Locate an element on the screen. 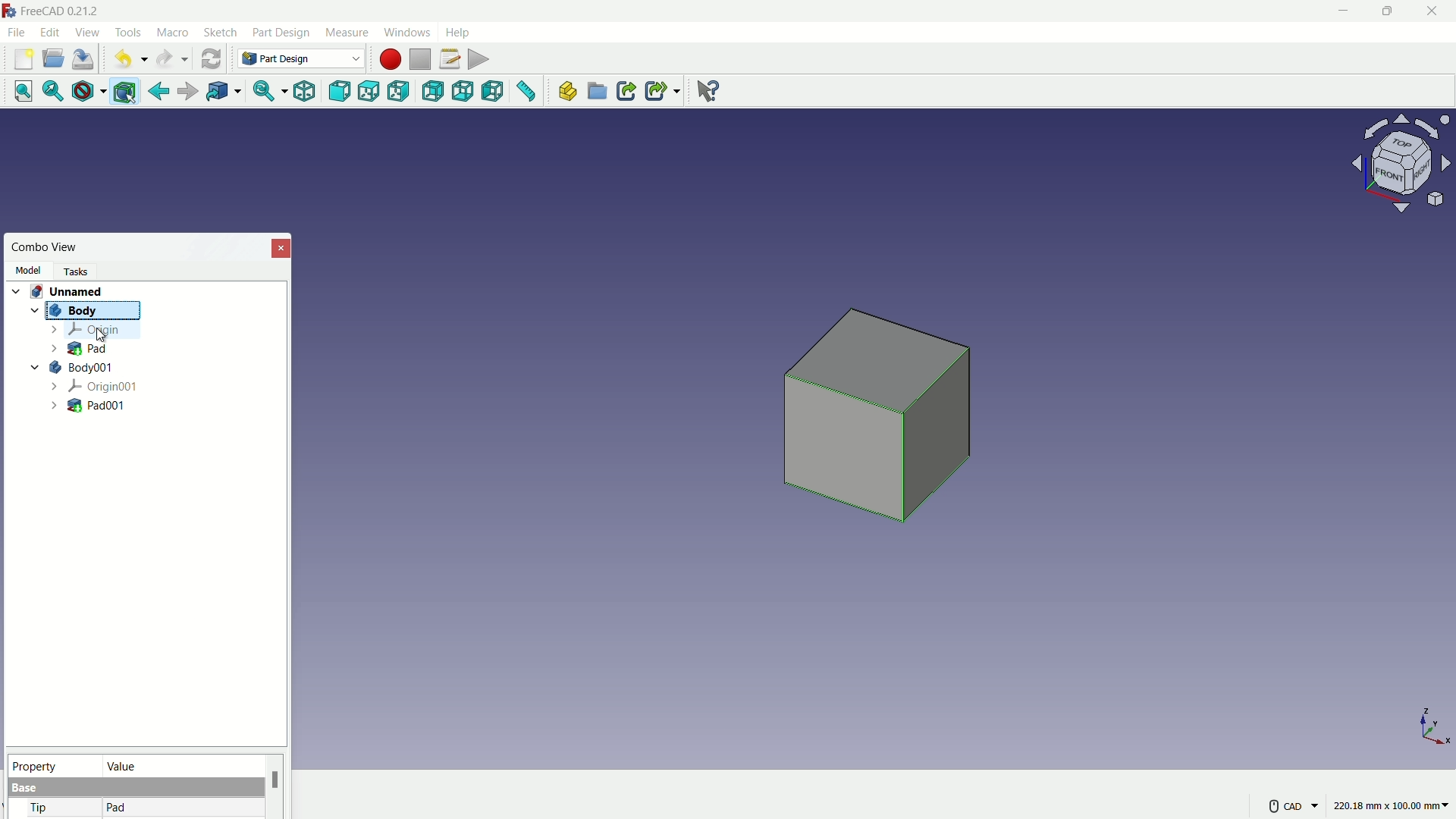 The image size is (1456, 819). cursor is located at coordinates (99, 335).